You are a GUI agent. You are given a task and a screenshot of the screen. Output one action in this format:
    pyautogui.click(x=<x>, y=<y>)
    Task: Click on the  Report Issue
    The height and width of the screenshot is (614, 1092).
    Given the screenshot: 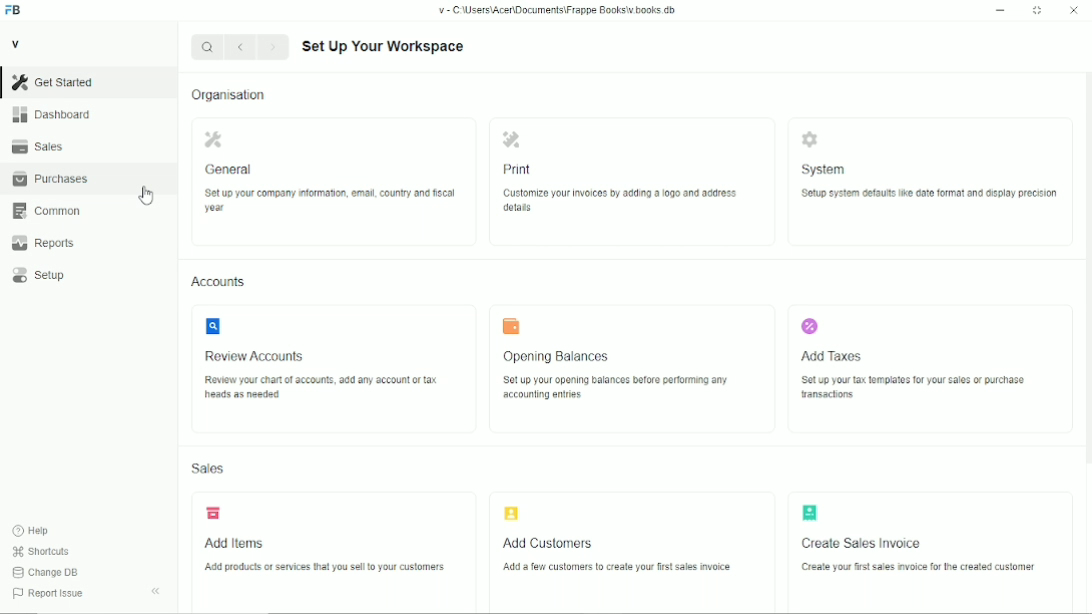 What is the action you would take?
    pyautogui.click(x=46, y=594)
    